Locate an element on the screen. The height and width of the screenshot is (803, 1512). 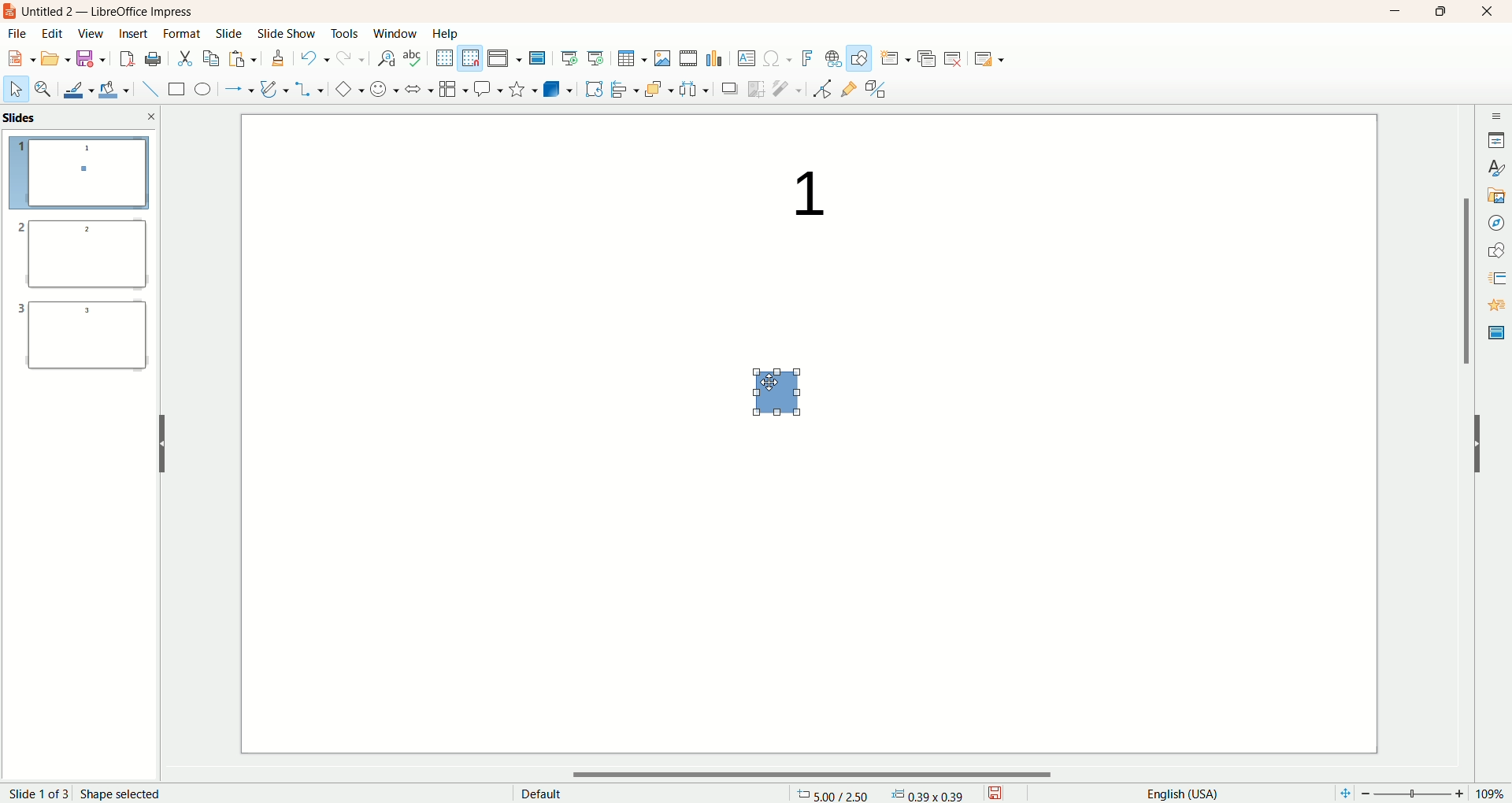
slide is located at coordinates (229, 35).